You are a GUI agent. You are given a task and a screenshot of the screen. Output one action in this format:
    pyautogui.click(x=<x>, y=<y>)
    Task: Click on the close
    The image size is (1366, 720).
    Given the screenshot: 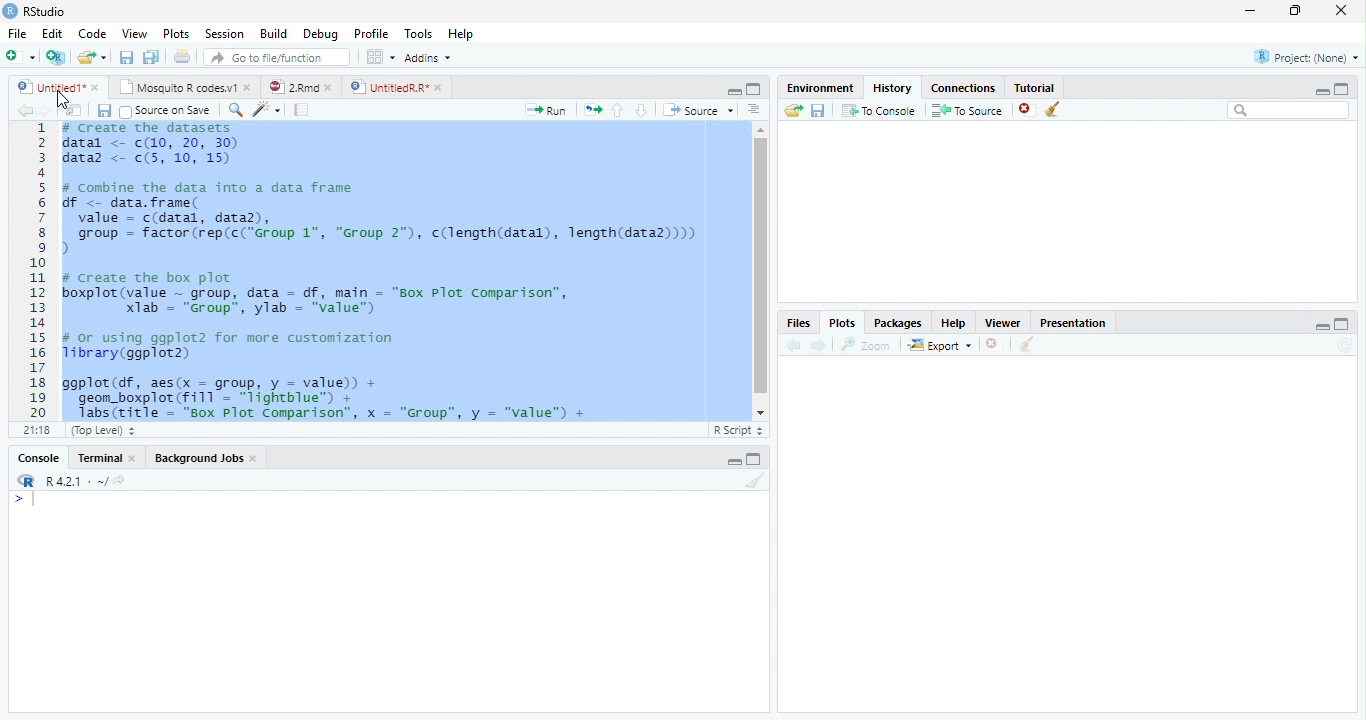 What is the action you would take?
    pyautogui.click(x=328, y=87)
    